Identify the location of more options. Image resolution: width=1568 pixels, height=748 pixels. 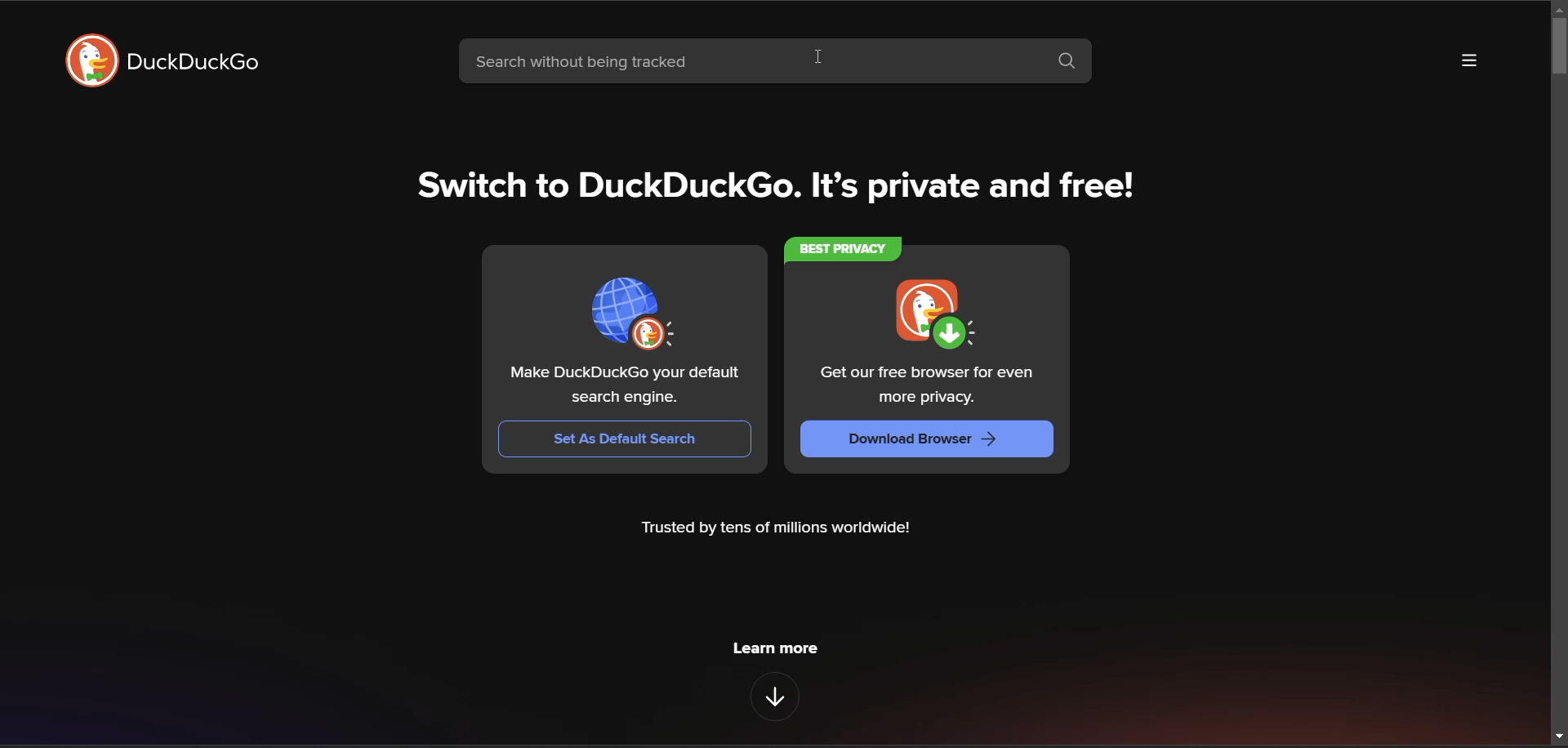
(1469, 60).